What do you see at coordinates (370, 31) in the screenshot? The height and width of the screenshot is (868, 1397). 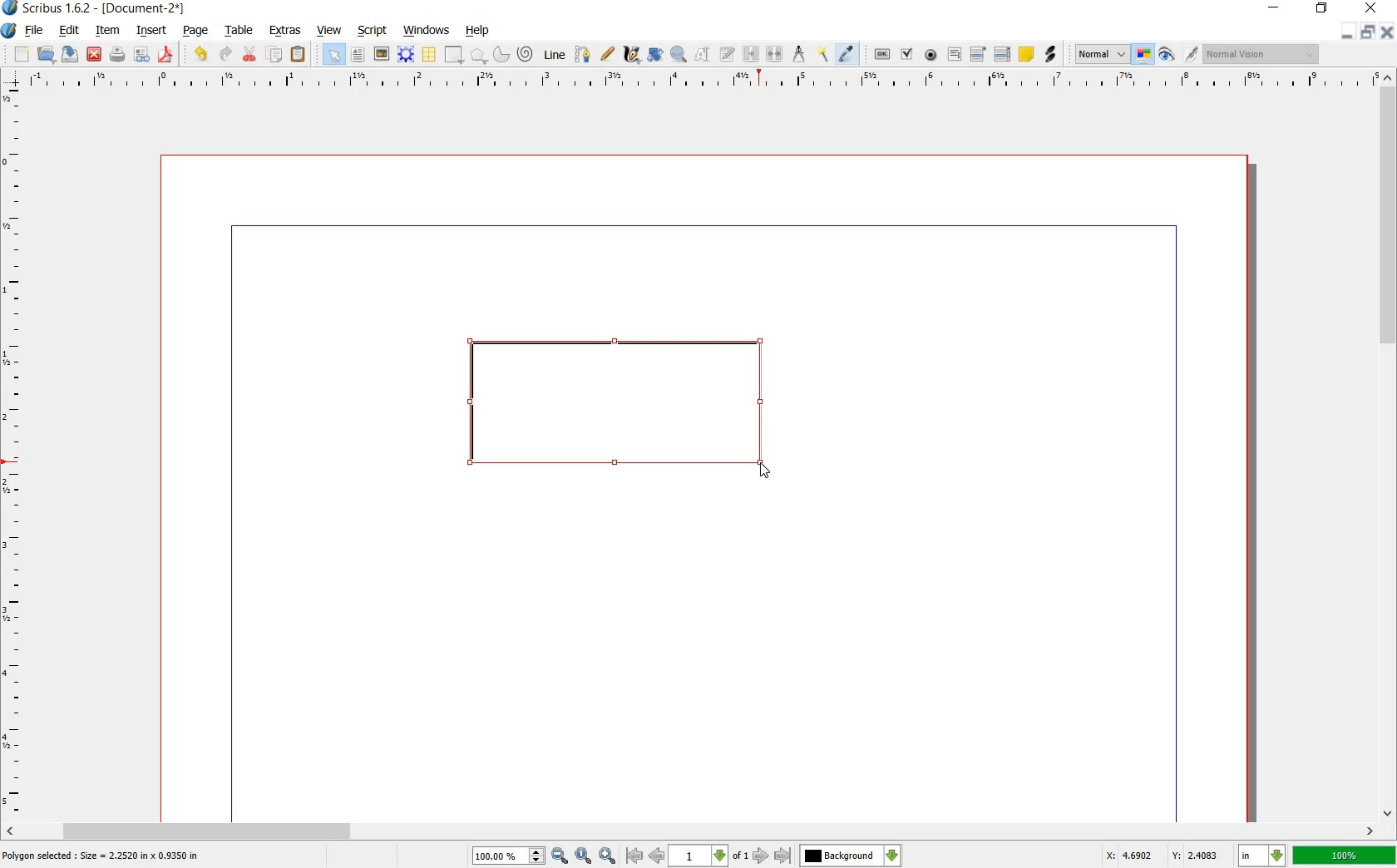 I see `SCRIPT` at bounding box center [370, 31].